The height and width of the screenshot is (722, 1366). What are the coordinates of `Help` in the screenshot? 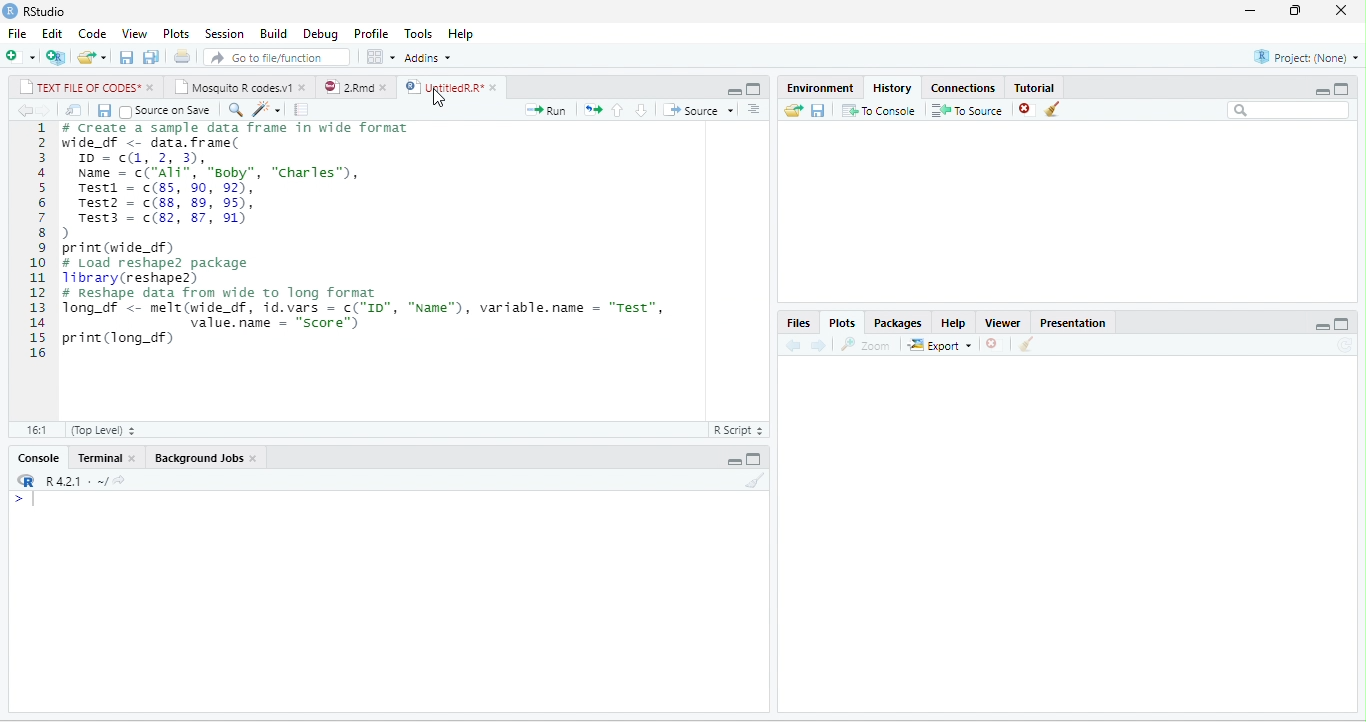 It's located at (954, 323).